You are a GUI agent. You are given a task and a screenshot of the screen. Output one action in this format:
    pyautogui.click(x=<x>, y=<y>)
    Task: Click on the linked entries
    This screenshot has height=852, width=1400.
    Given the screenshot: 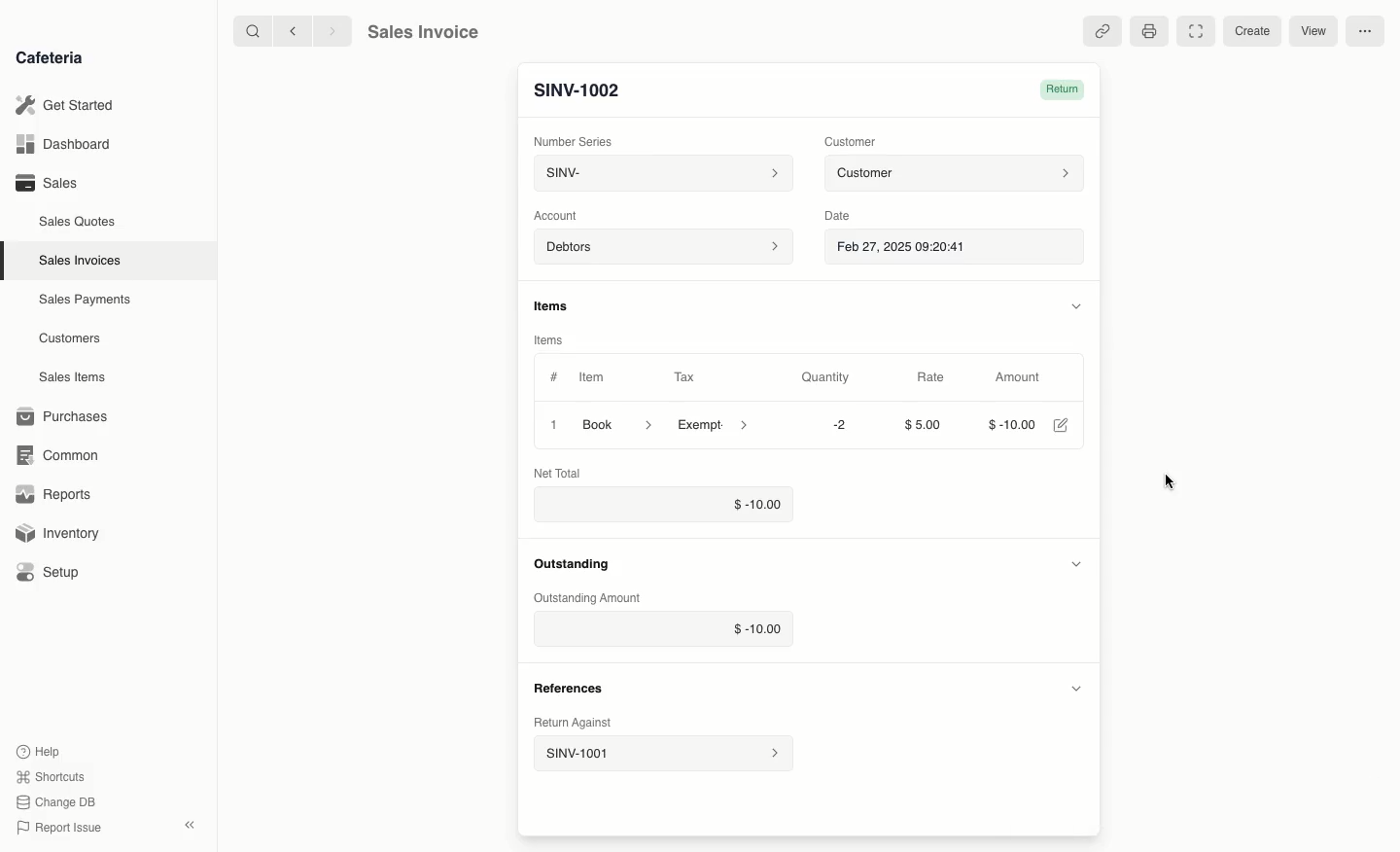 What is the action you would take?
    pyautogui.click(x=1104, y=32)
    